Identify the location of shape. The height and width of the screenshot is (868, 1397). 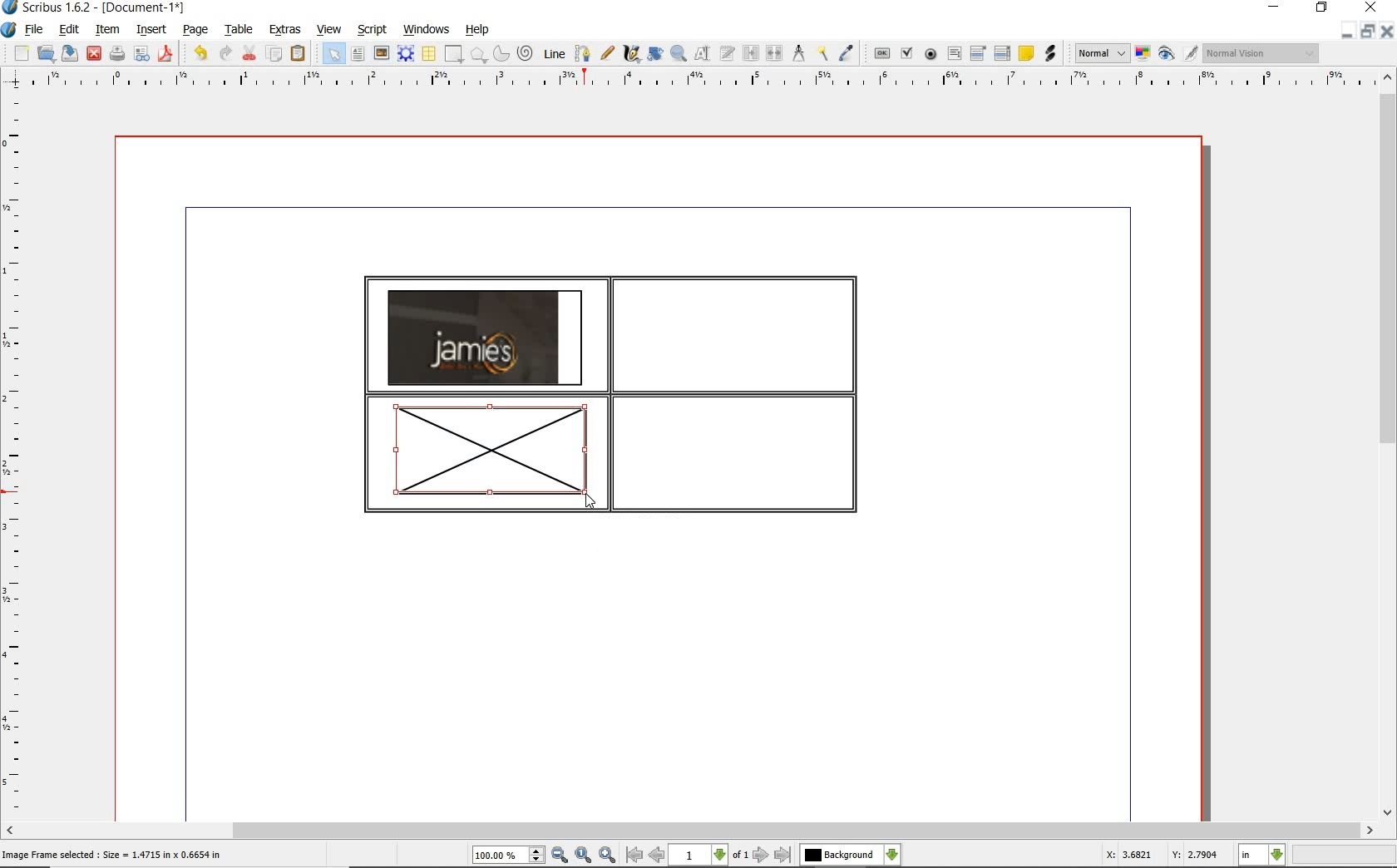
(452, 55).